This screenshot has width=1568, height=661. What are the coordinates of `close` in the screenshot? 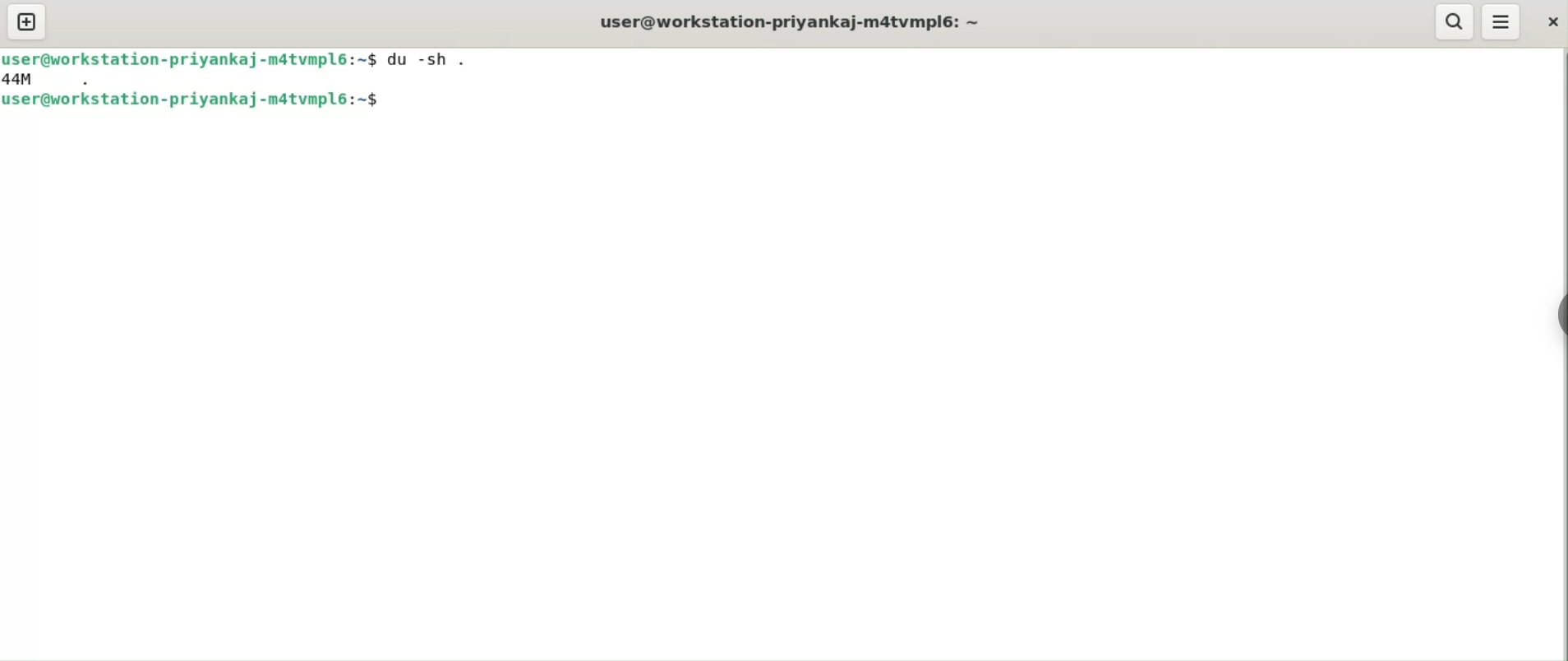 It's located at (1550, 24).